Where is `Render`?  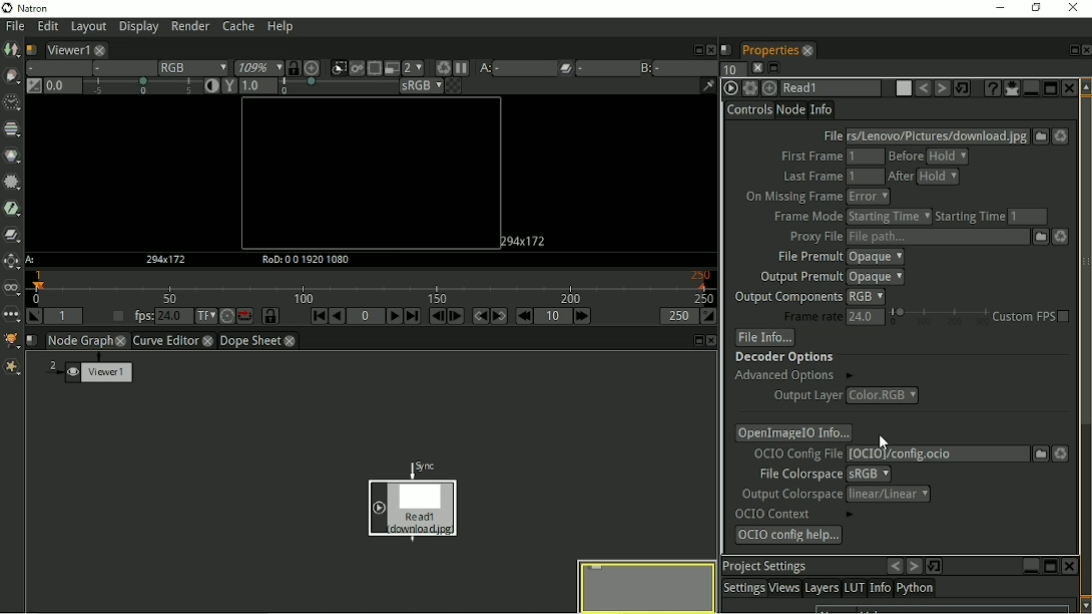
Render is located at coordinates (193, 27).